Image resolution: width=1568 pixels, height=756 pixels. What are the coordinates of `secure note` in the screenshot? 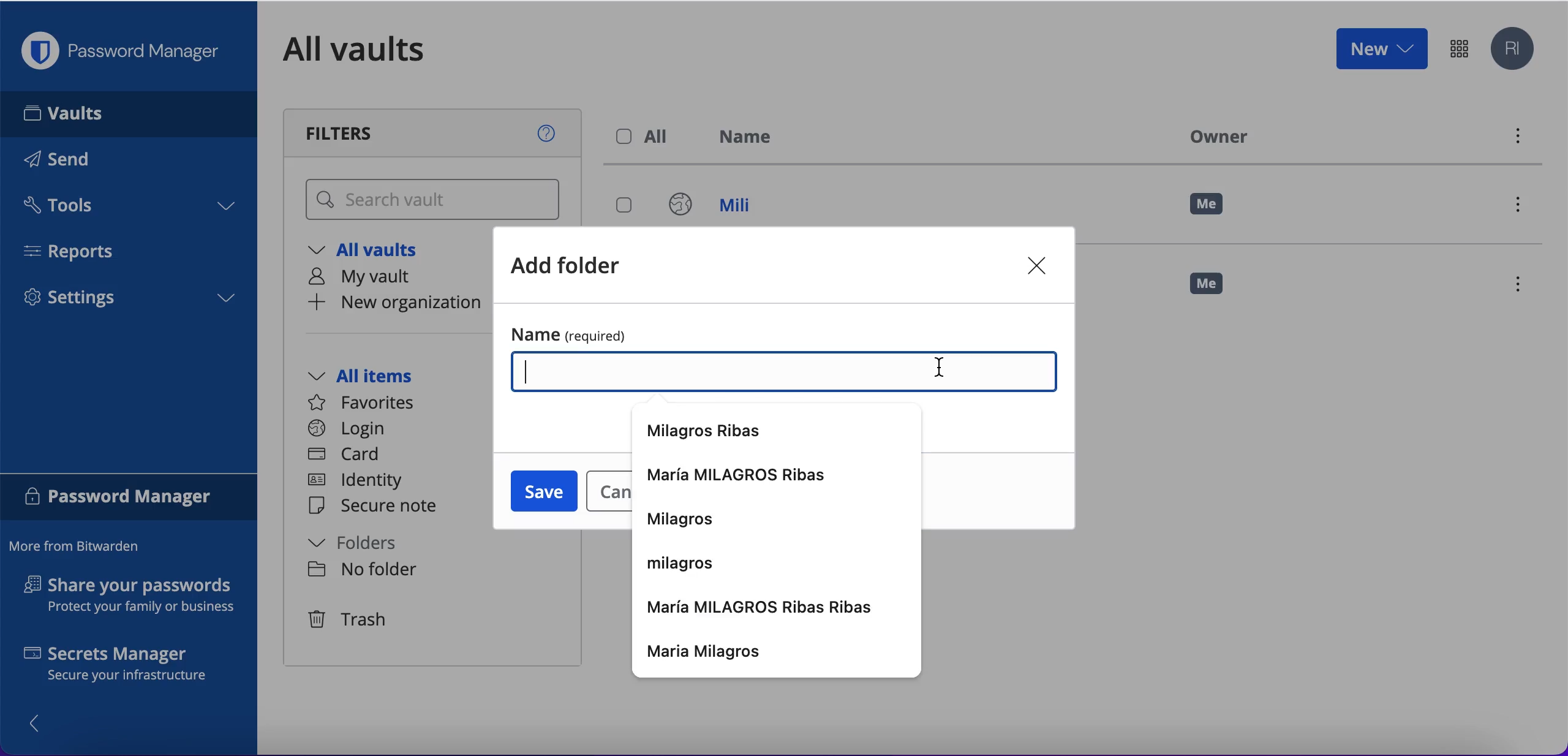 It's located at (379, 507).